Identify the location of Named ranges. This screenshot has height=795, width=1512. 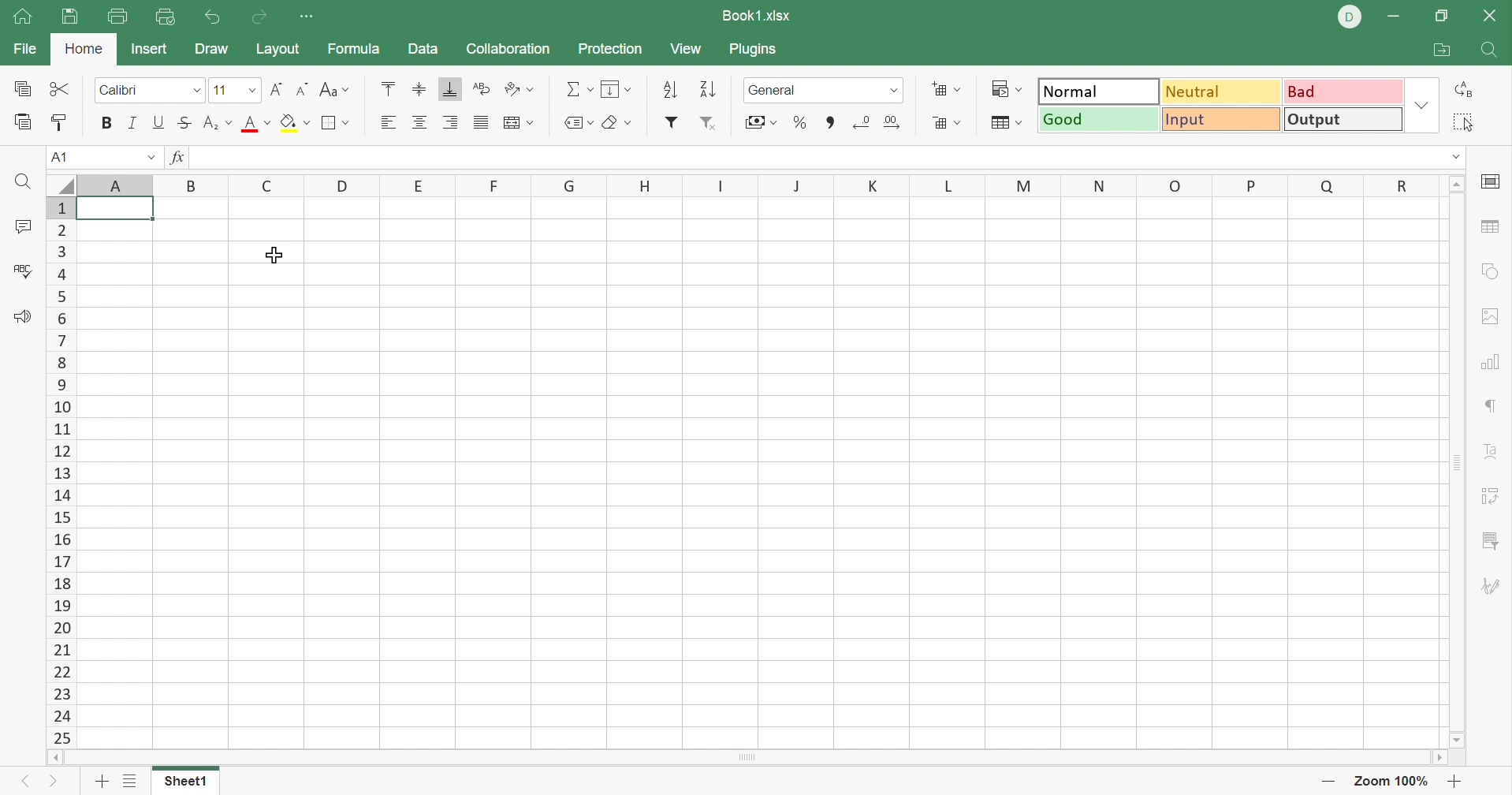
(578, 122).